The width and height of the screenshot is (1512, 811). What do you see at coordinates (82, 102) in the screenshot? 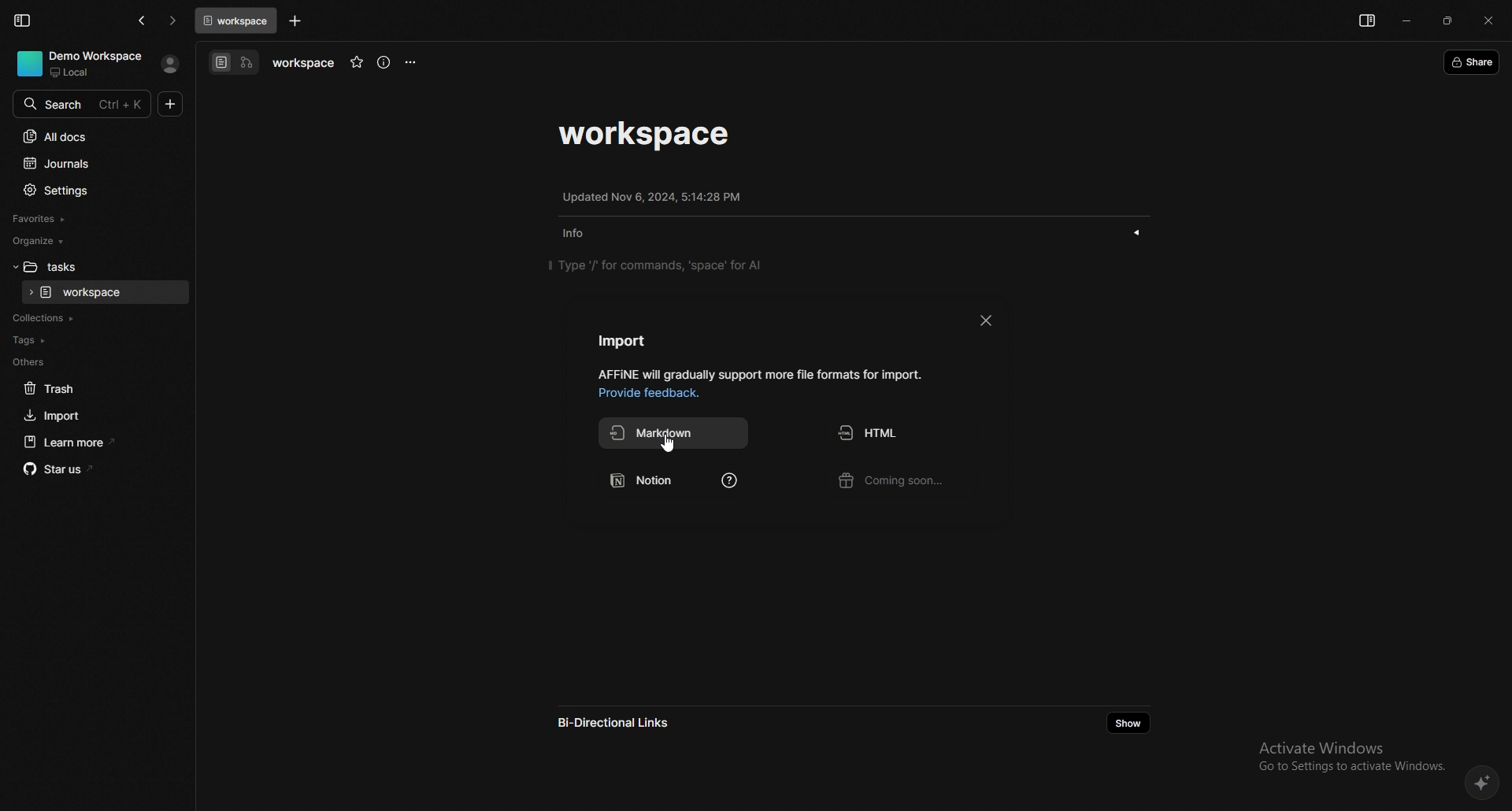
I see `search bar` at bounding box center [82, 102].